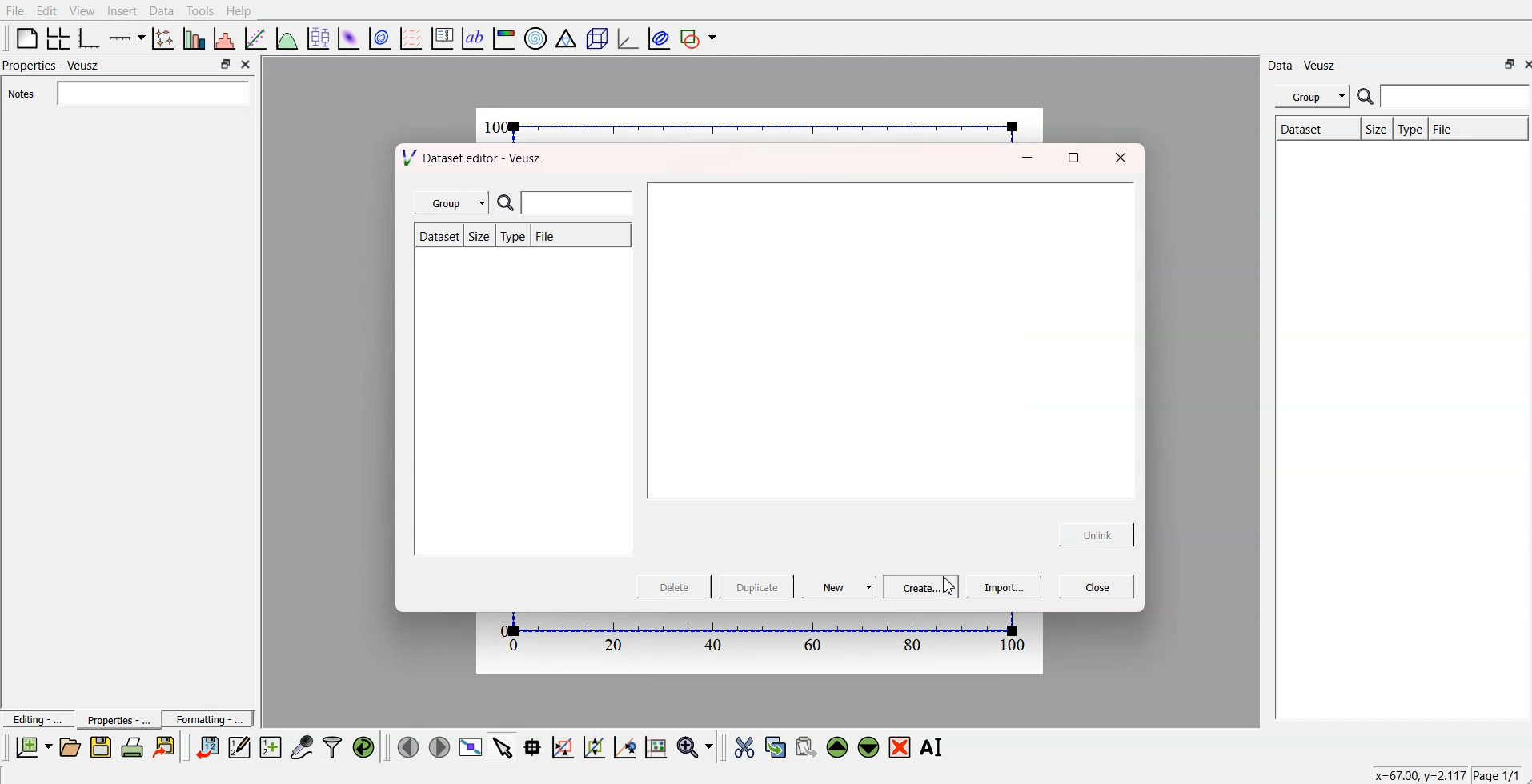 The height and width of the screenshot is (784, 1532). What do you see at coordinates (869, 746) in the screenshot?
I see `move down` at bounding box center [869, 746].